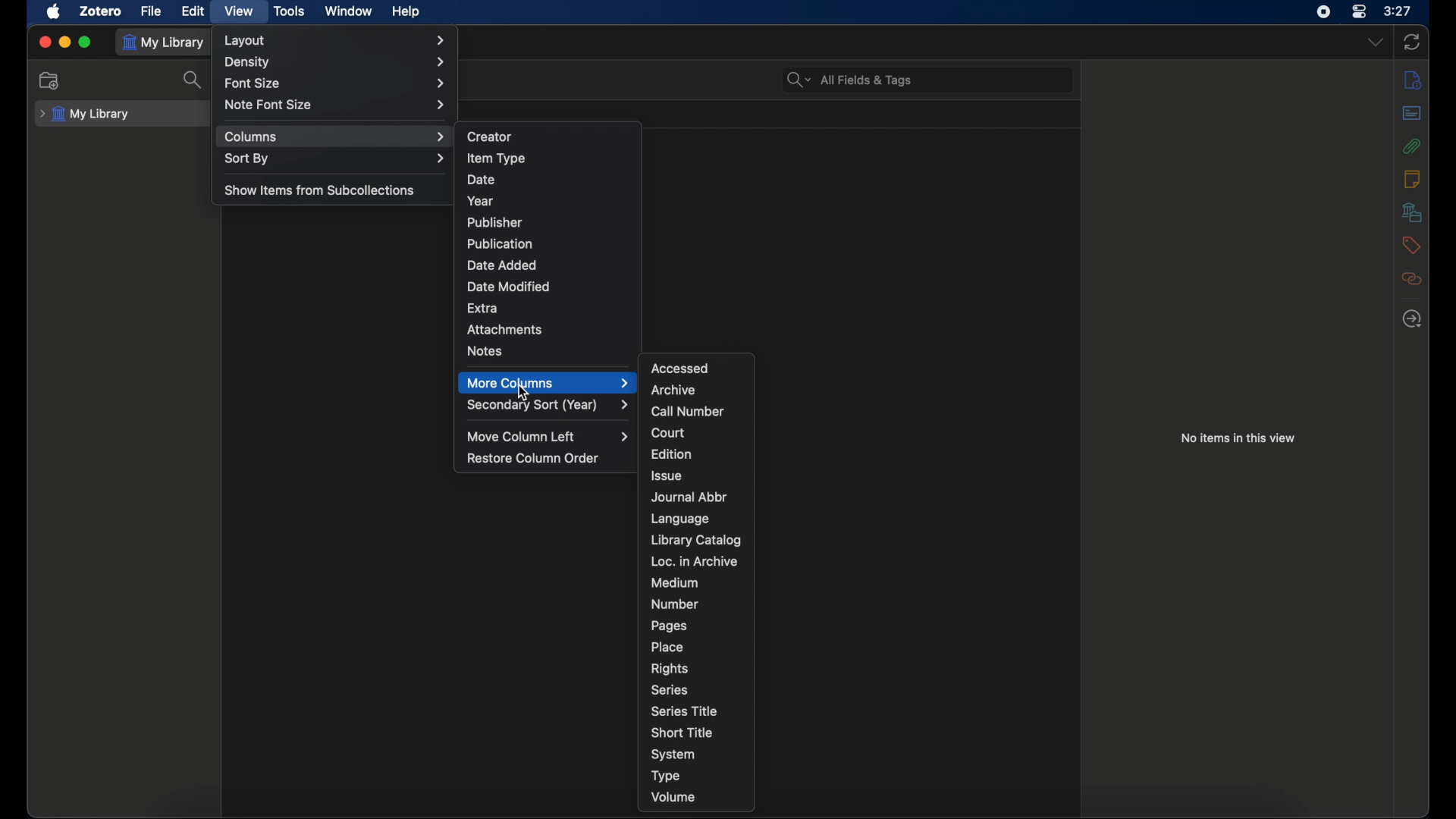 This screenshot has height=819, width=1456. Describe the element at coordinates (167, 45) in the screenshot. I see `my library` at that location.